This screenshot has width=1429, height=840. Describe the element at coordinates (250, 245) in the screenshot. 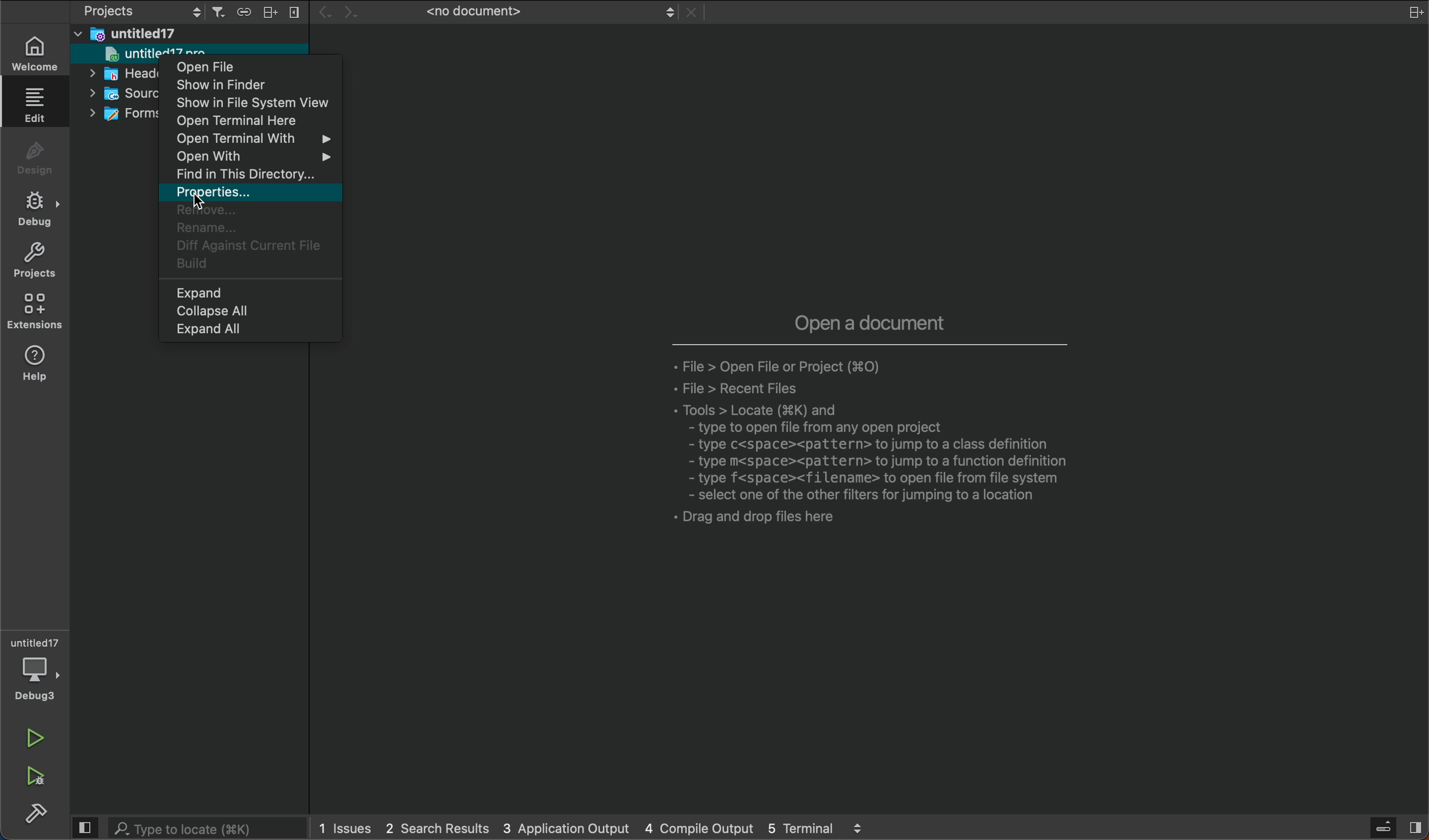

I see `diff` at that location.